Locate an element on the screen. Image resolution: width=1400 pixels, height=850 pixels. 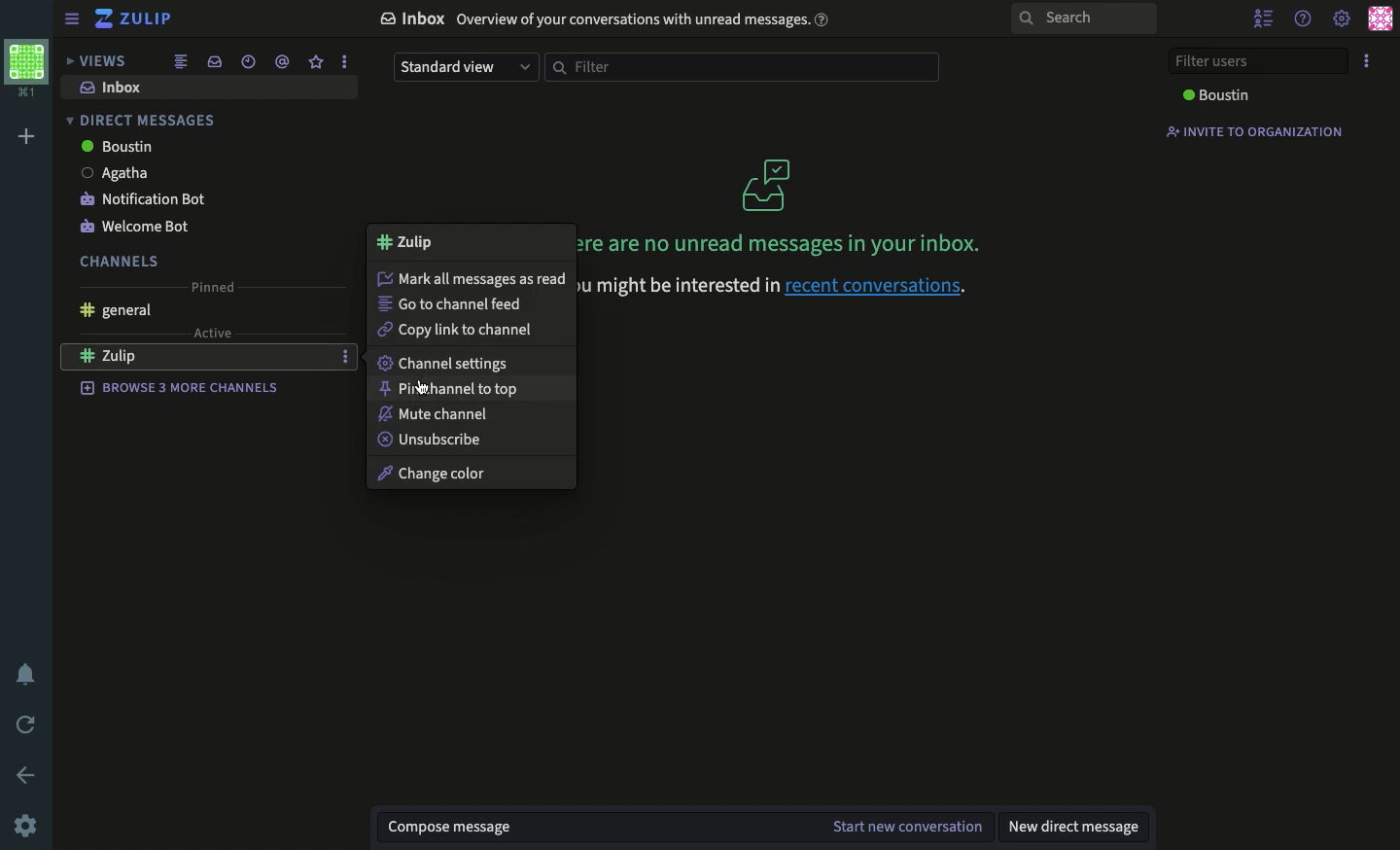
pin channel to top is located at coordinates (453, 391).